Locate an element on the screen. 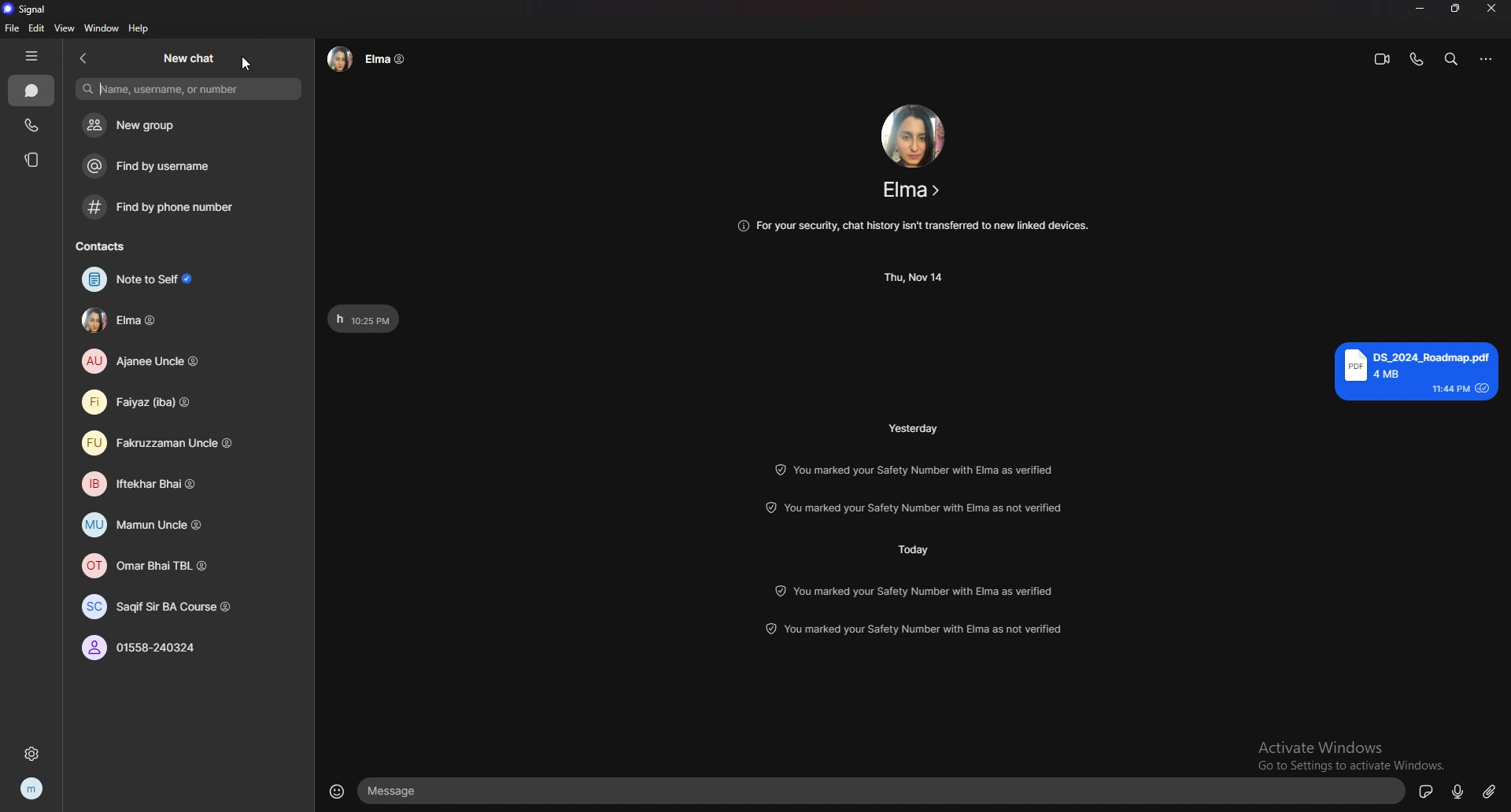 The width and height of the screenshot is (1511, 812). contact info is located at coordinates (367, 59).